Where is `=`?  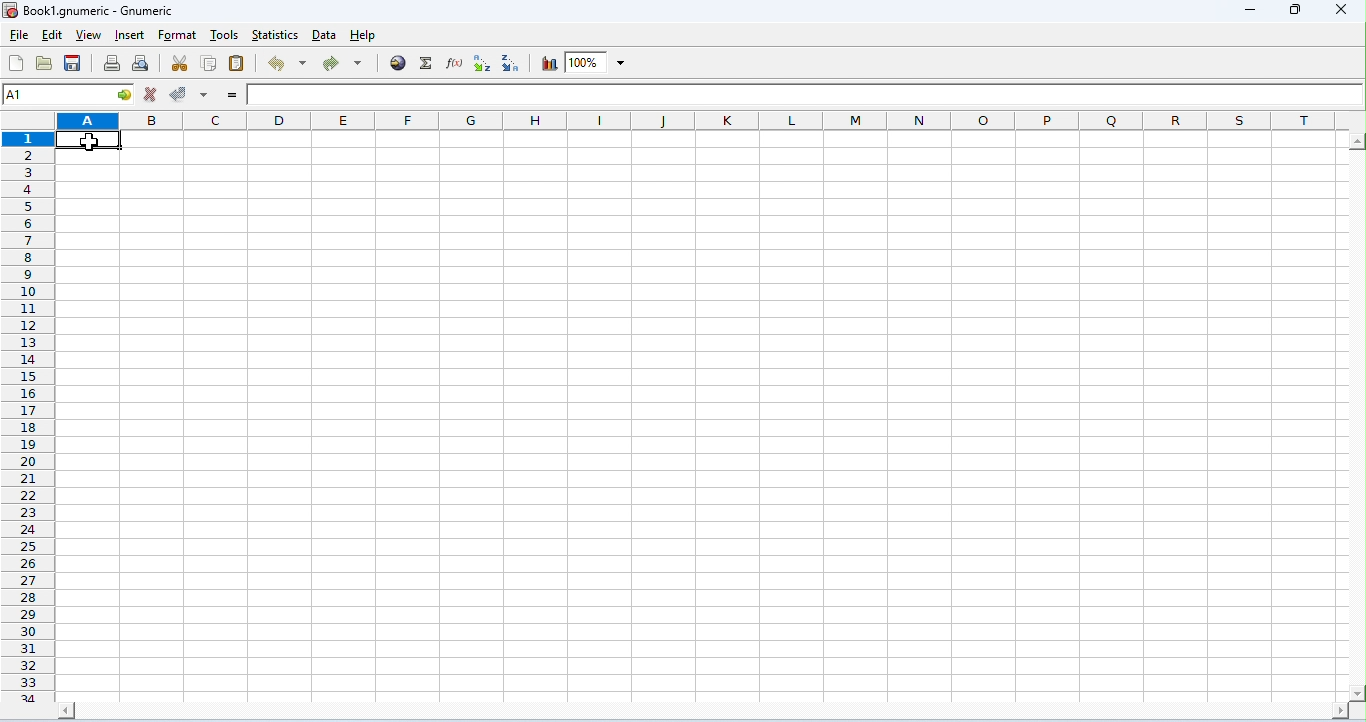
= is located at coordinates (231, 95).